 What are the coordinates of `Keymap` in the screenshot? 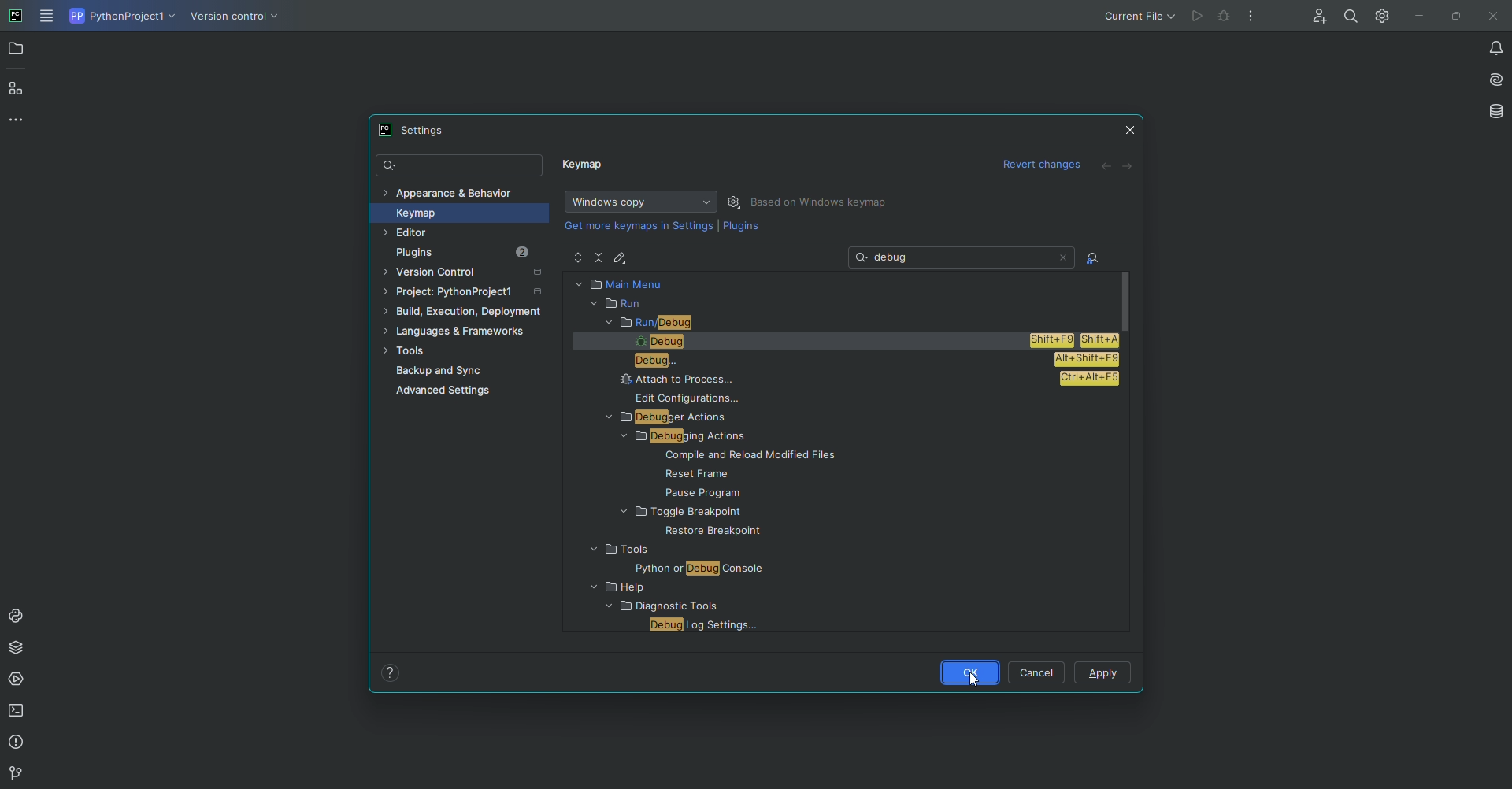 It's located at (585, 168).